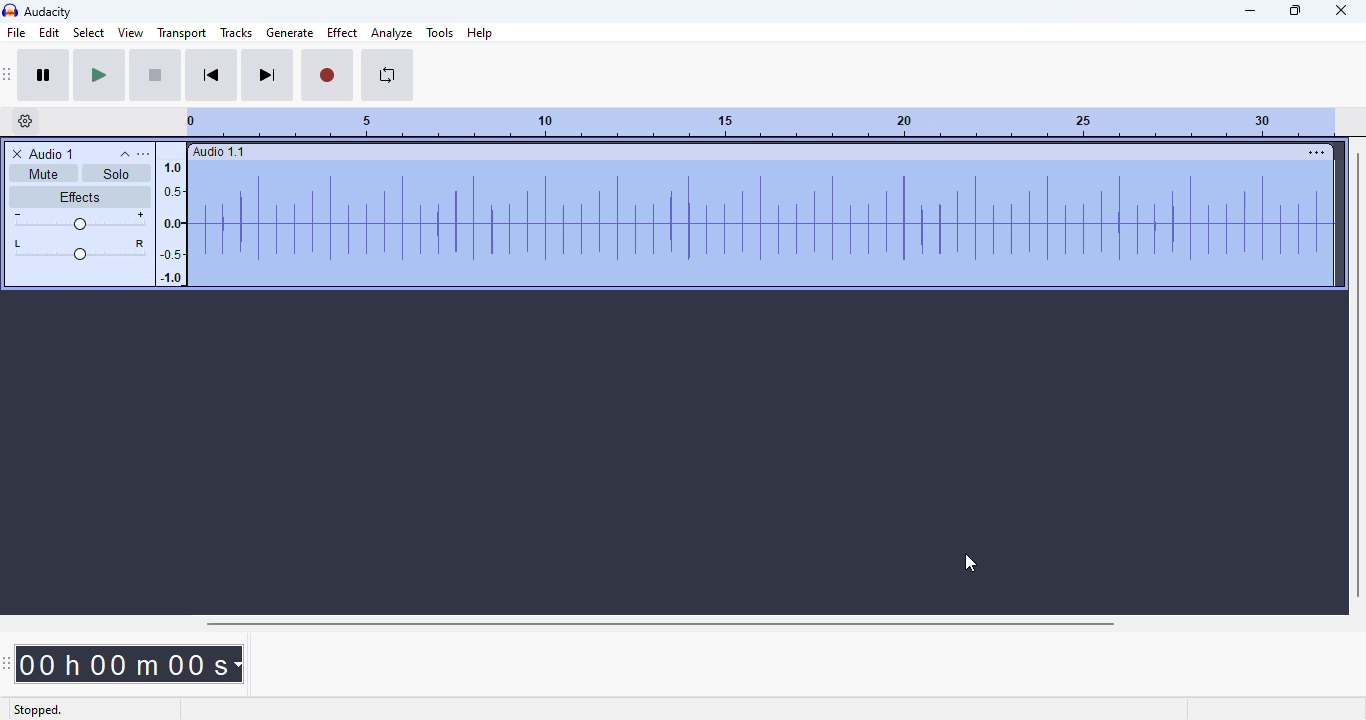 The image size is (1366, 720). Describe the element at coordinates (1340, 10) in the screenshot. I see `close` at that location.